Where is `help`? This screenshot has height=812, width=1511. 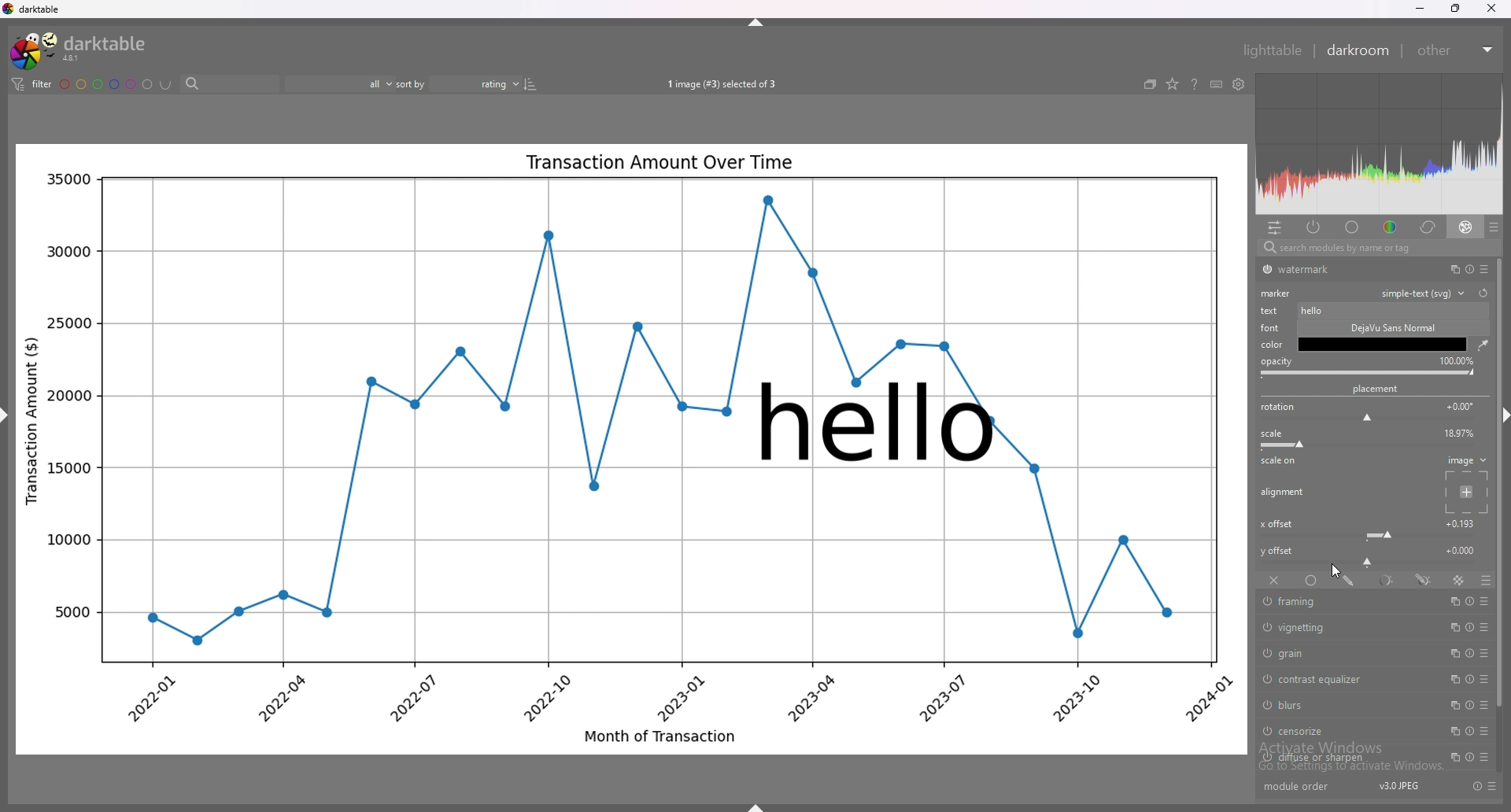 help is located at coordinates (1195, 85).